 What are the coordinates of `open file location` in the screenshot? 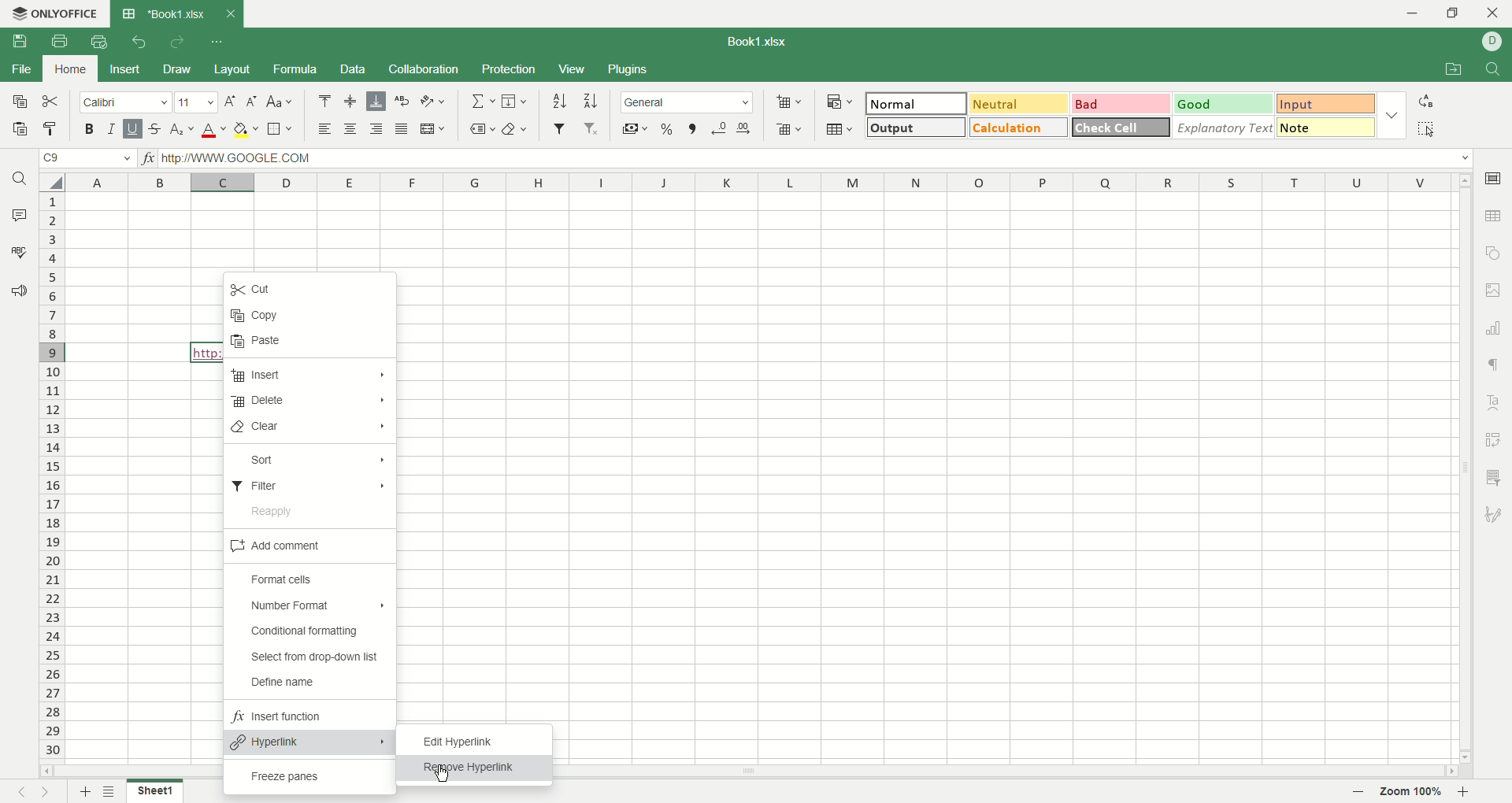 It's located at (1450, 71).